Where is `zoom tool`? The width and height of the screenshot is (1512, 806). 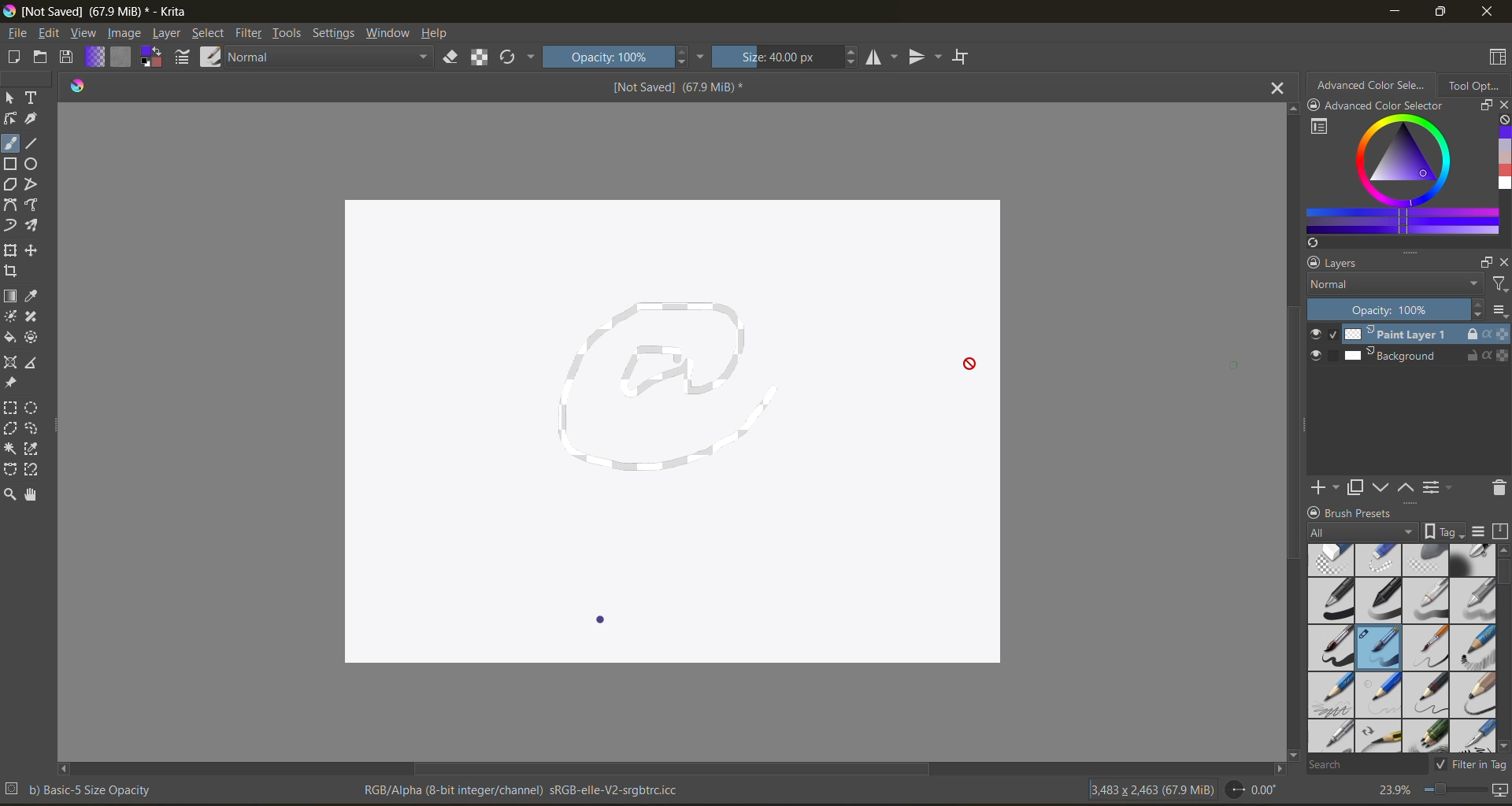
zoom tool is located at coordinates (10, 494).